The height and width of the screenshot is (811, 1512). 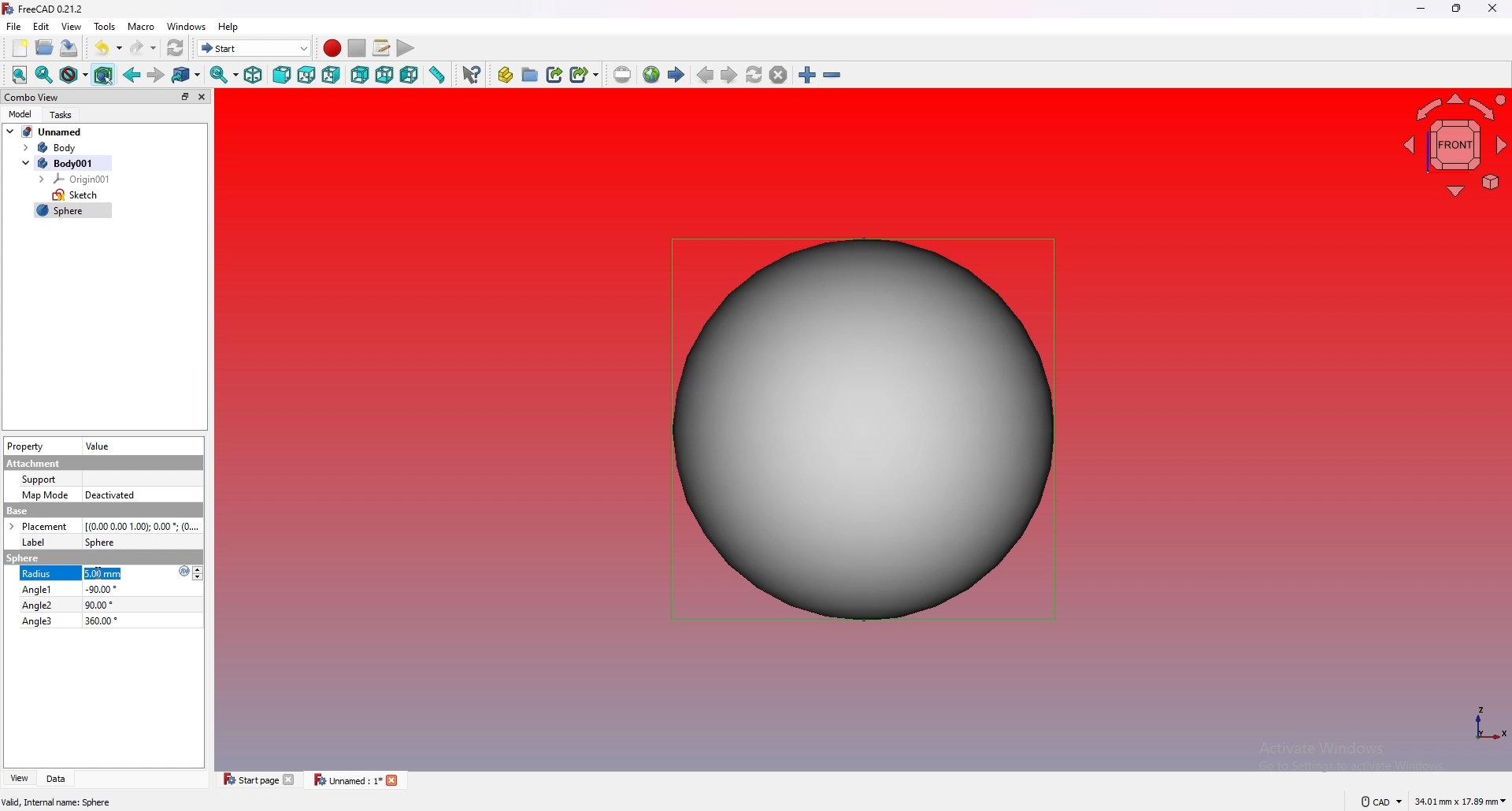 What do you see at coordinates (27, 446) in the screenshot?
I see `property` at bounding box center [27, 446].